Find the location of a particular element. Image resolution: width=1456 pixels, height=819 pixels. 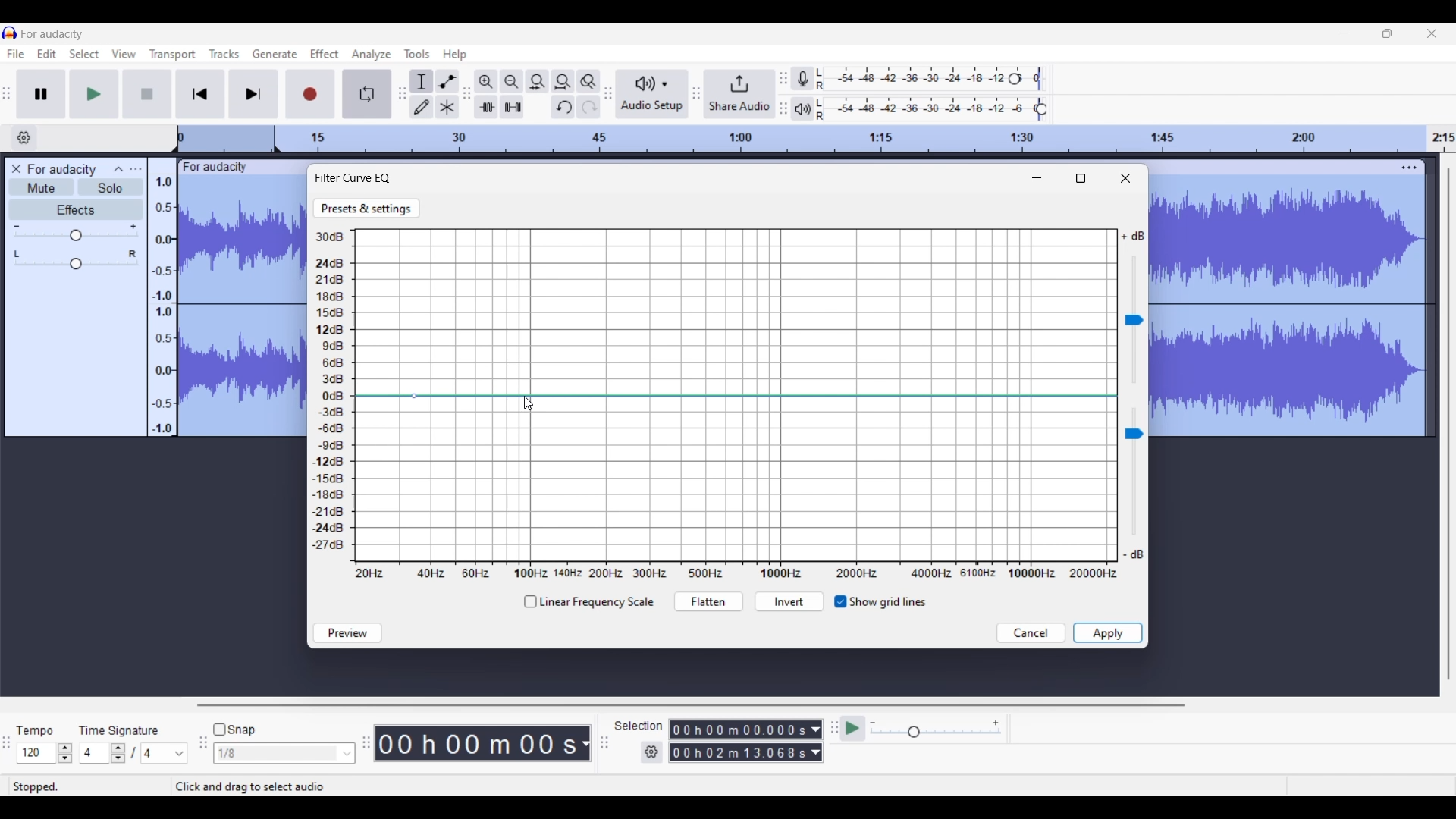

Flatten curve is located at coordinates (708, 602).